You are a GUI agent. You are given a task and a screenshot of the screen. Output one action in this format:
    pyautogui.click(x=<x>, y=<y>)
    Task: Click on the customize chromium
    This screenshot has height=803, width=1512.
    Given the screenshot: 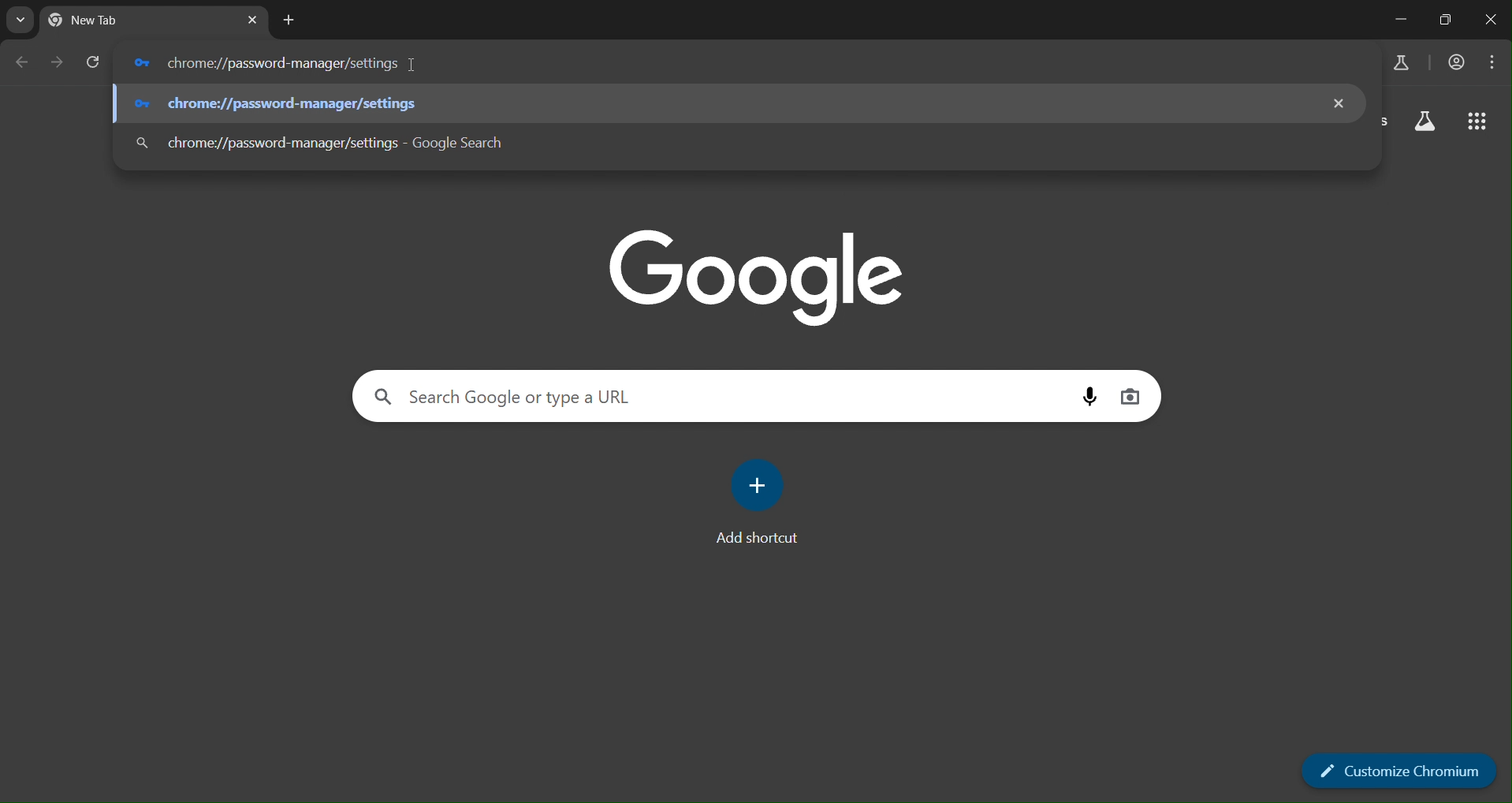 What is the action you would take?
    pyautogui.click(x=1385, y=777)
    